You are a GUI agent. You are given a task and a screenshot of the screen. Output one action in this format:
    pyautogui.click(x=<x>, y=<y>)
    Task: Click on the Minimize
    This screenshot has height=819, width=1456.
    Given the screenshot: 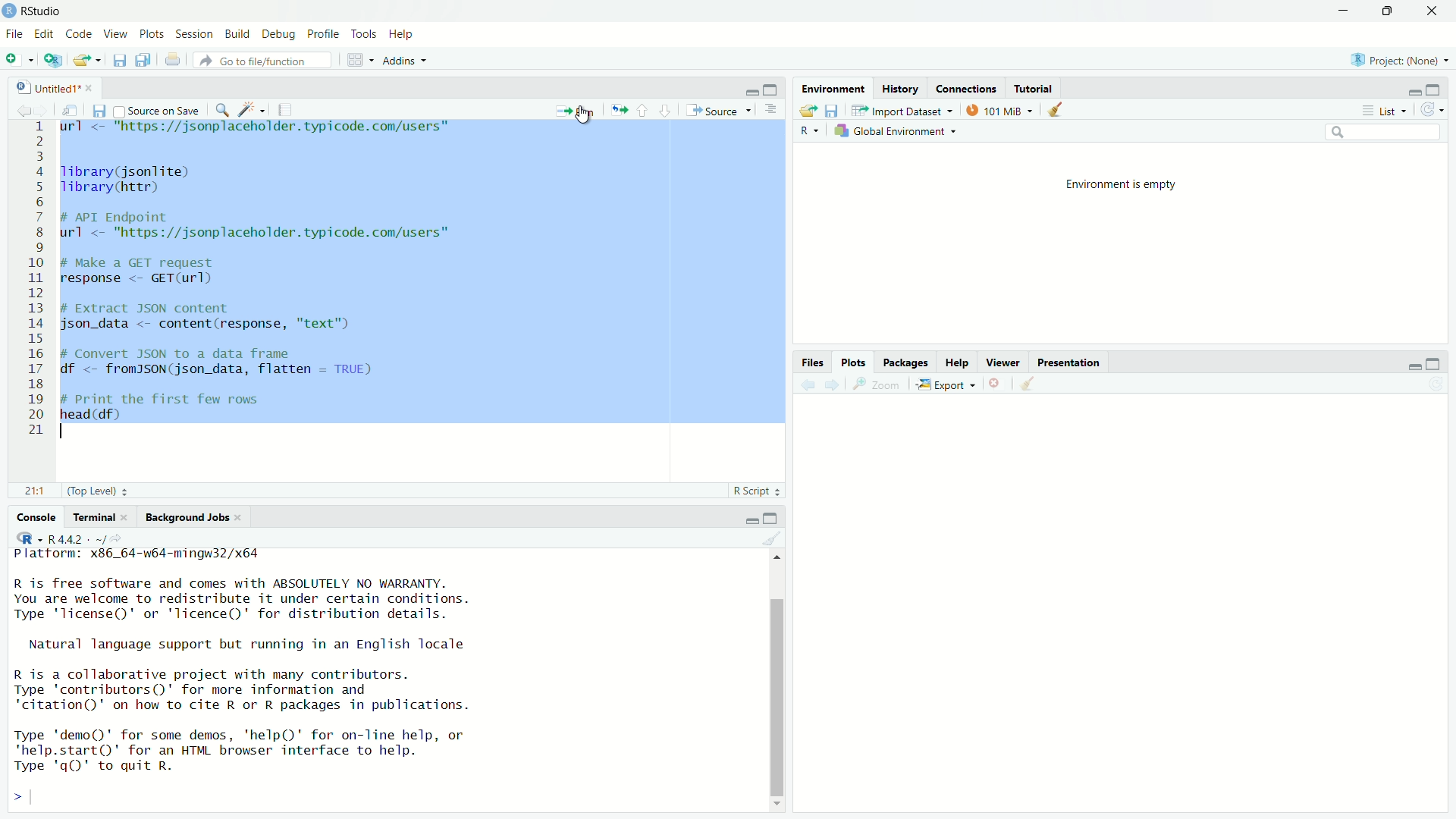 What is the action you would take?
    pyautogui.click(x=749, y=90)
    